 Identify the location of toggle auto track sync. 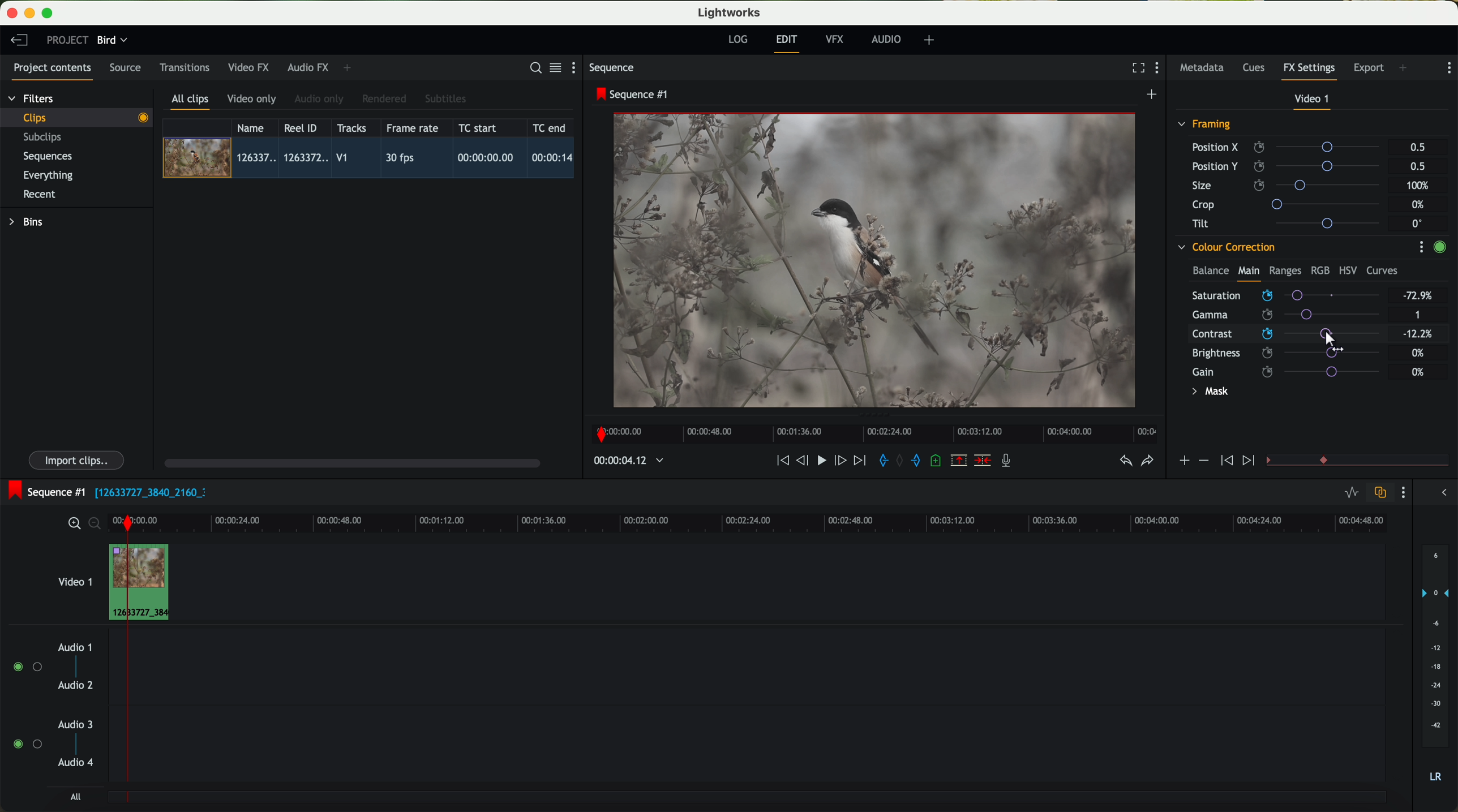
(1378, 493).